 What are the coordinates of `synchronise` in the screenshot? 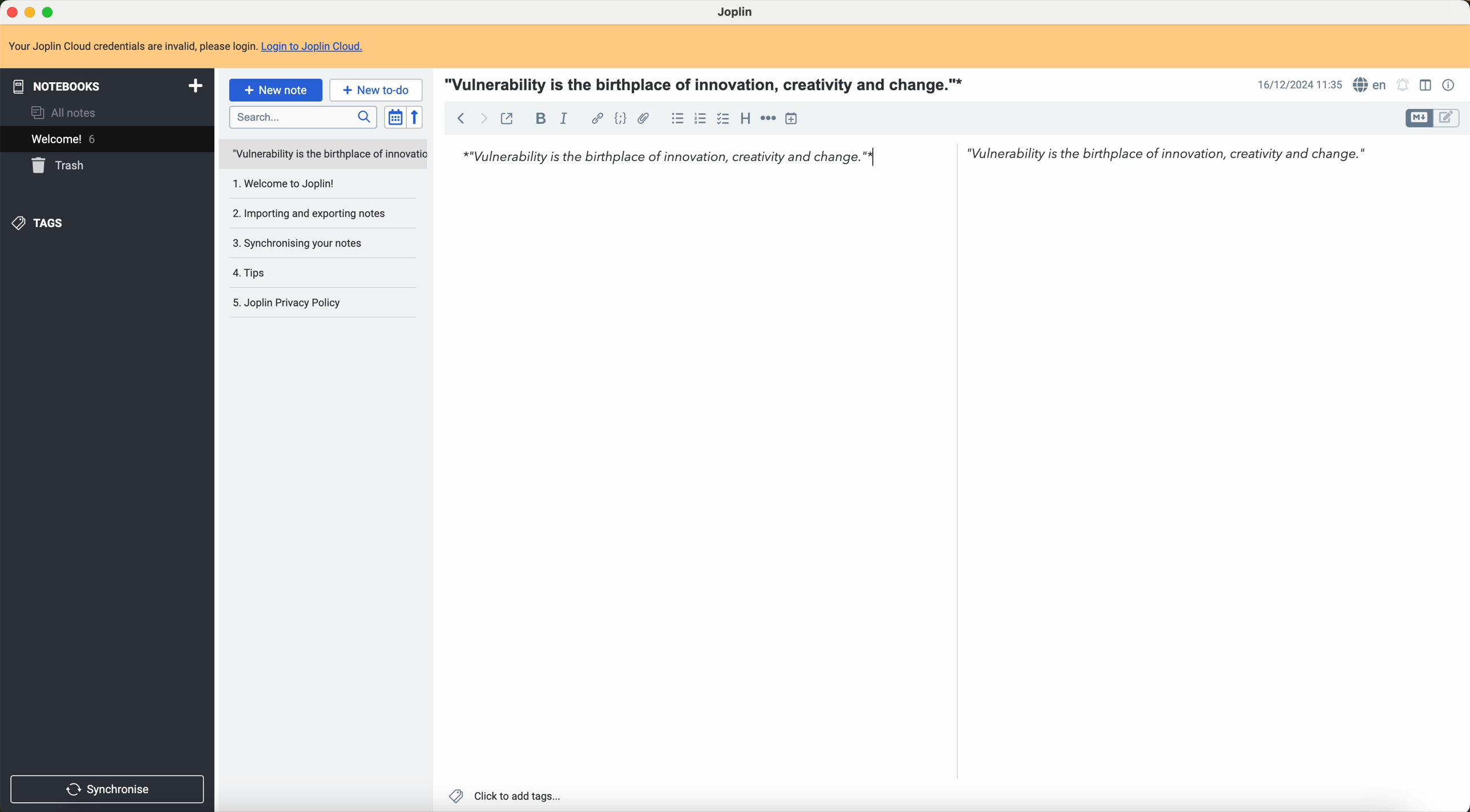 It's located at (109, 789).